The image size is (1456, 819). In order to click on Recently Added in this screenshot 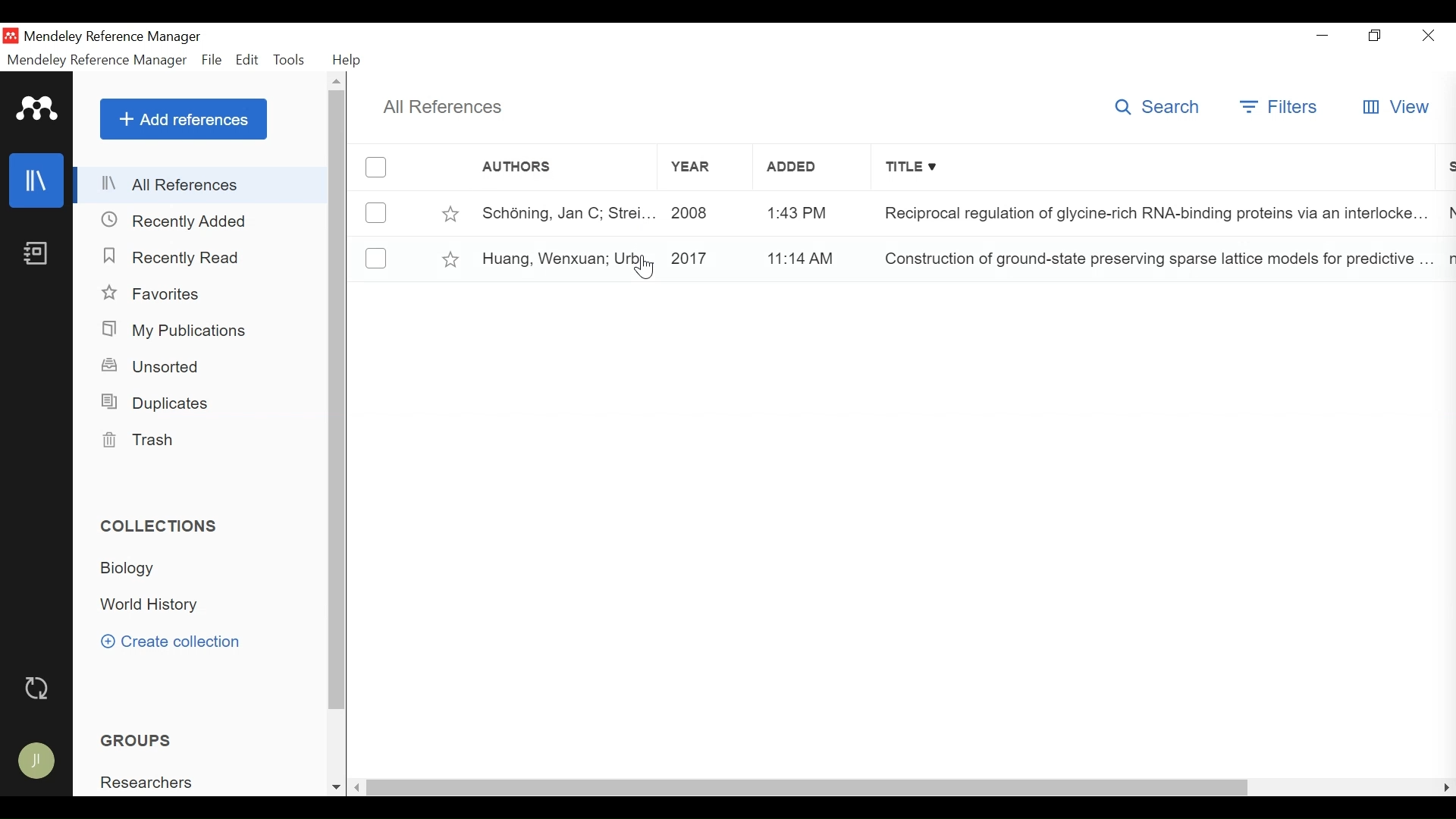, I will do `click(176, 222)`.